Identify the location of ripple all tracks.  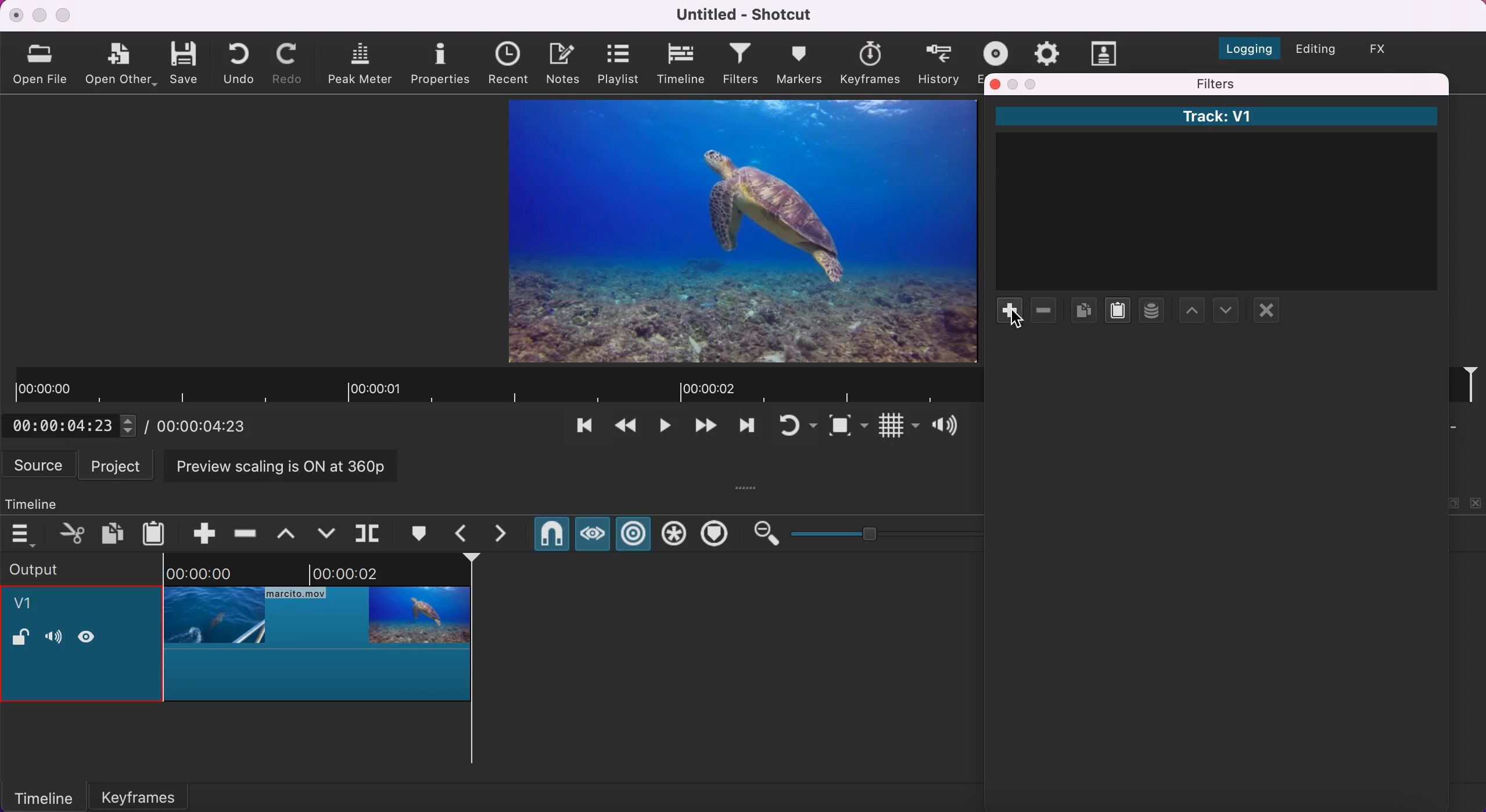
(674, 536).